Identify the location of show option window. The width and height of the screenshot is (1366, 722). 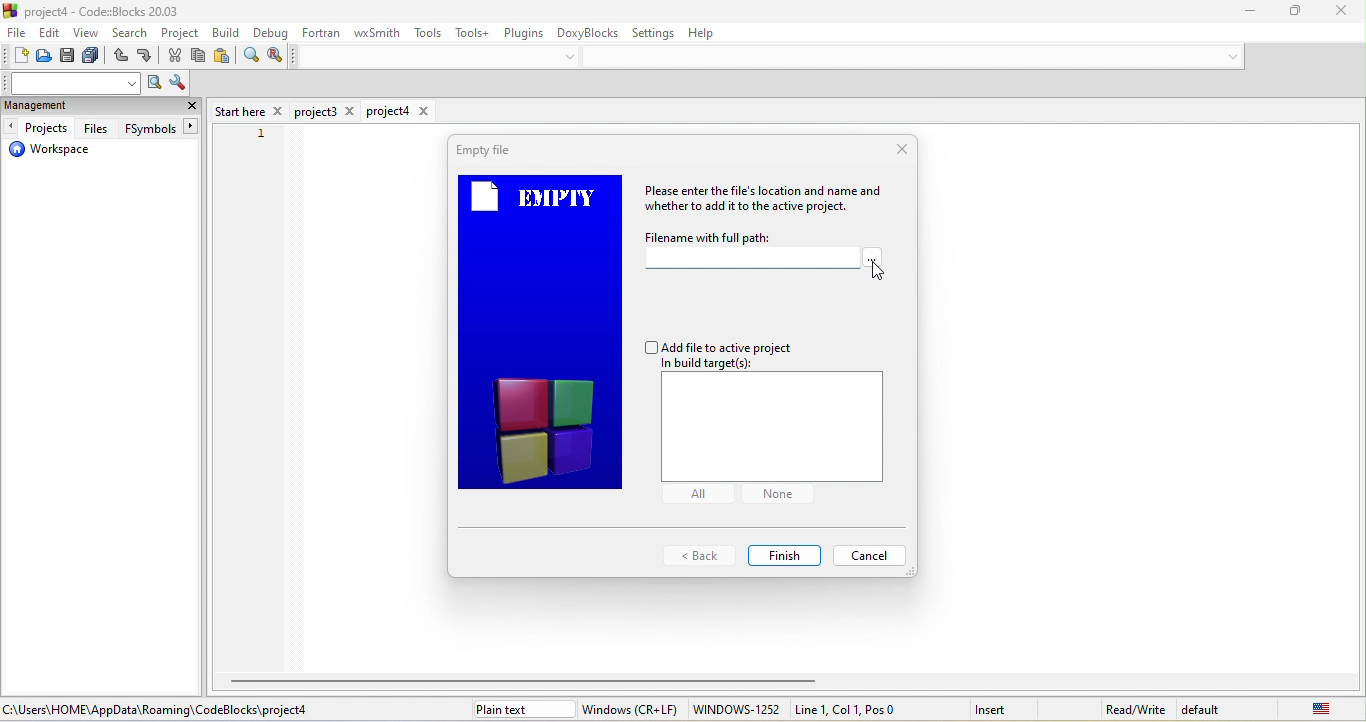
(177, 84).